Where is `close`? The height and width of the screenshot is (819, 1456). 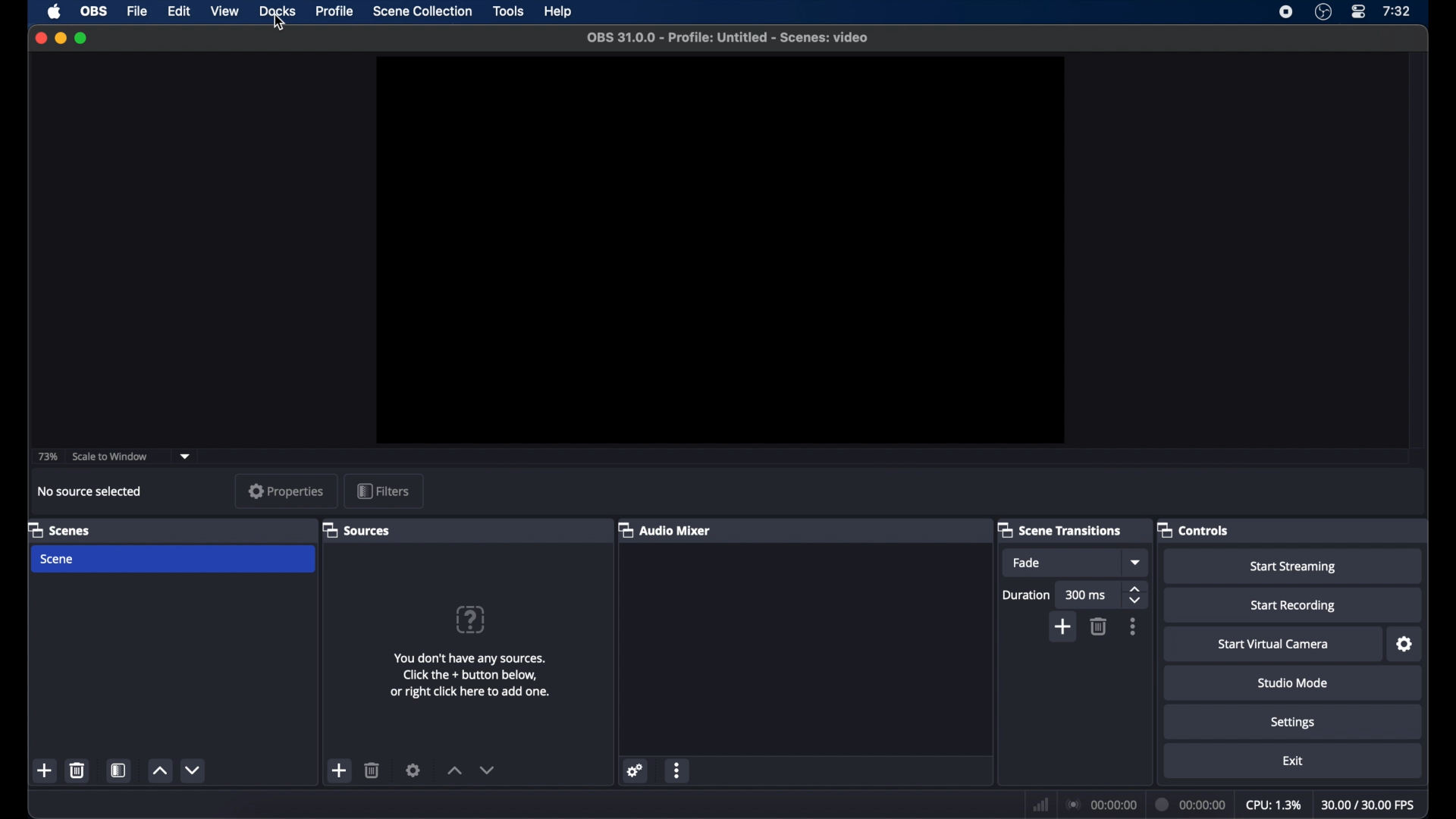 close is located at coordinates (42, 37).